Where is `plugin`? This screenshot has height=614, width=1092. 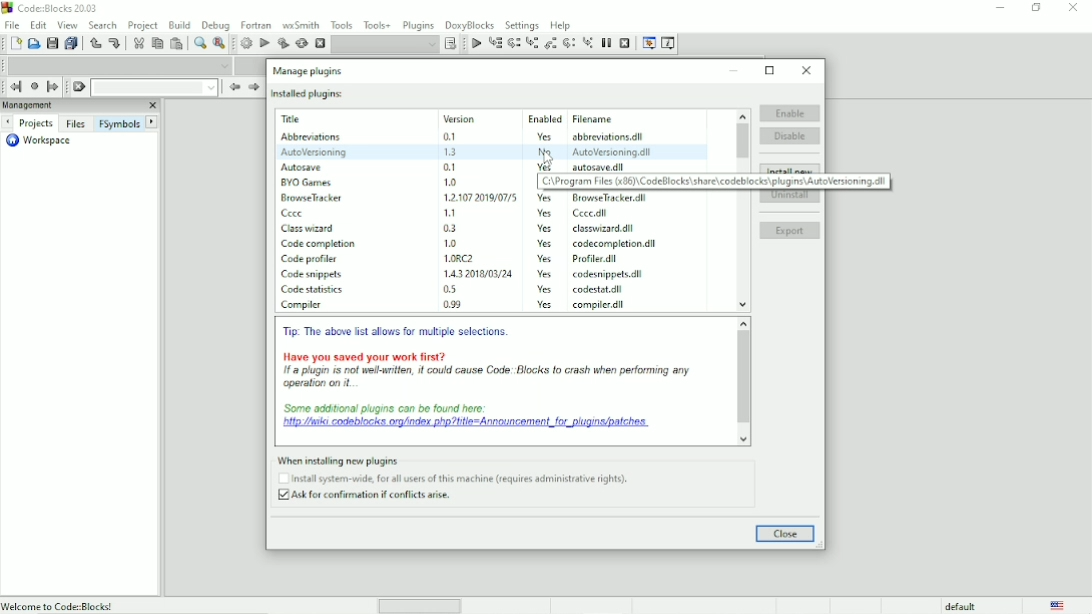
plugin is located at coordinates (303, 304).